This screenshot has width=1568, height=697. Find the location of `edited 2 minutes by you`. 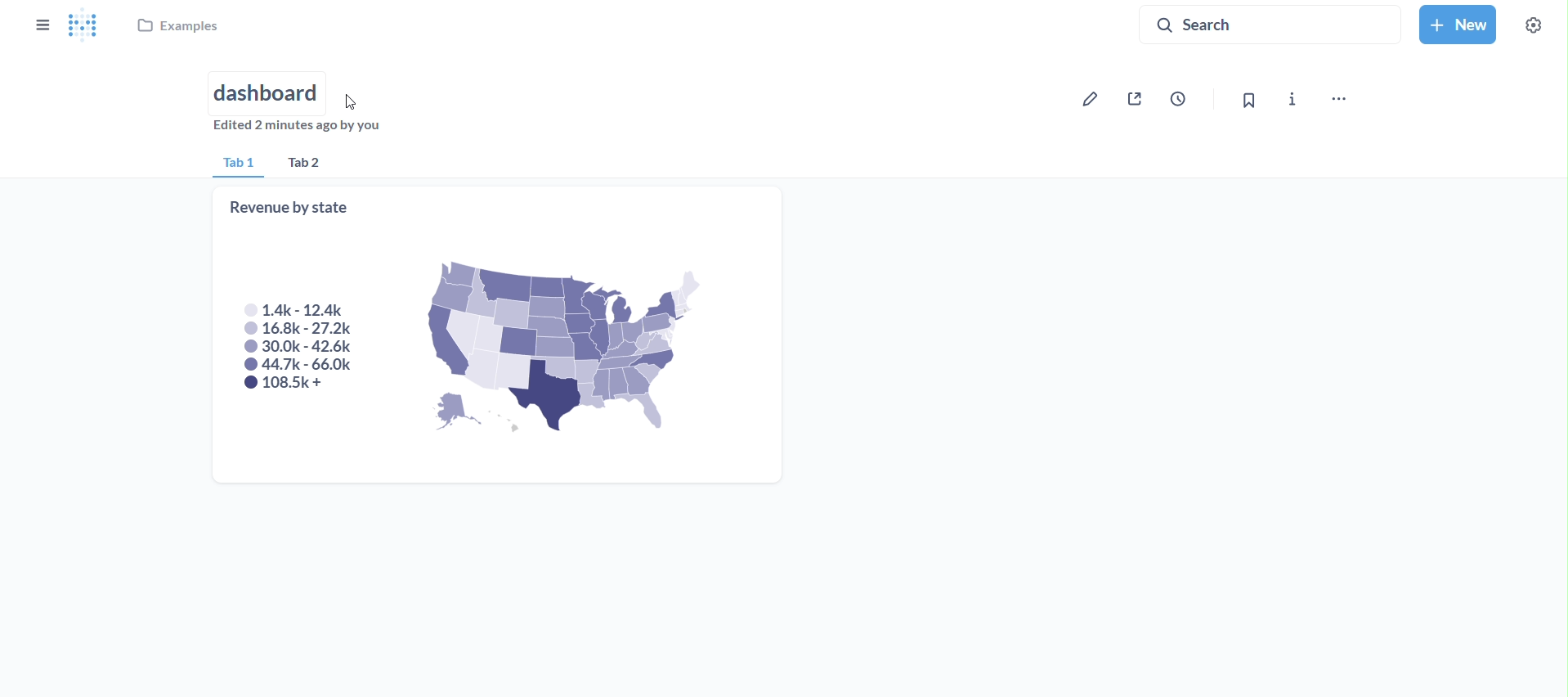

edited 2 minutes by you is located at coordinates (302, 129).